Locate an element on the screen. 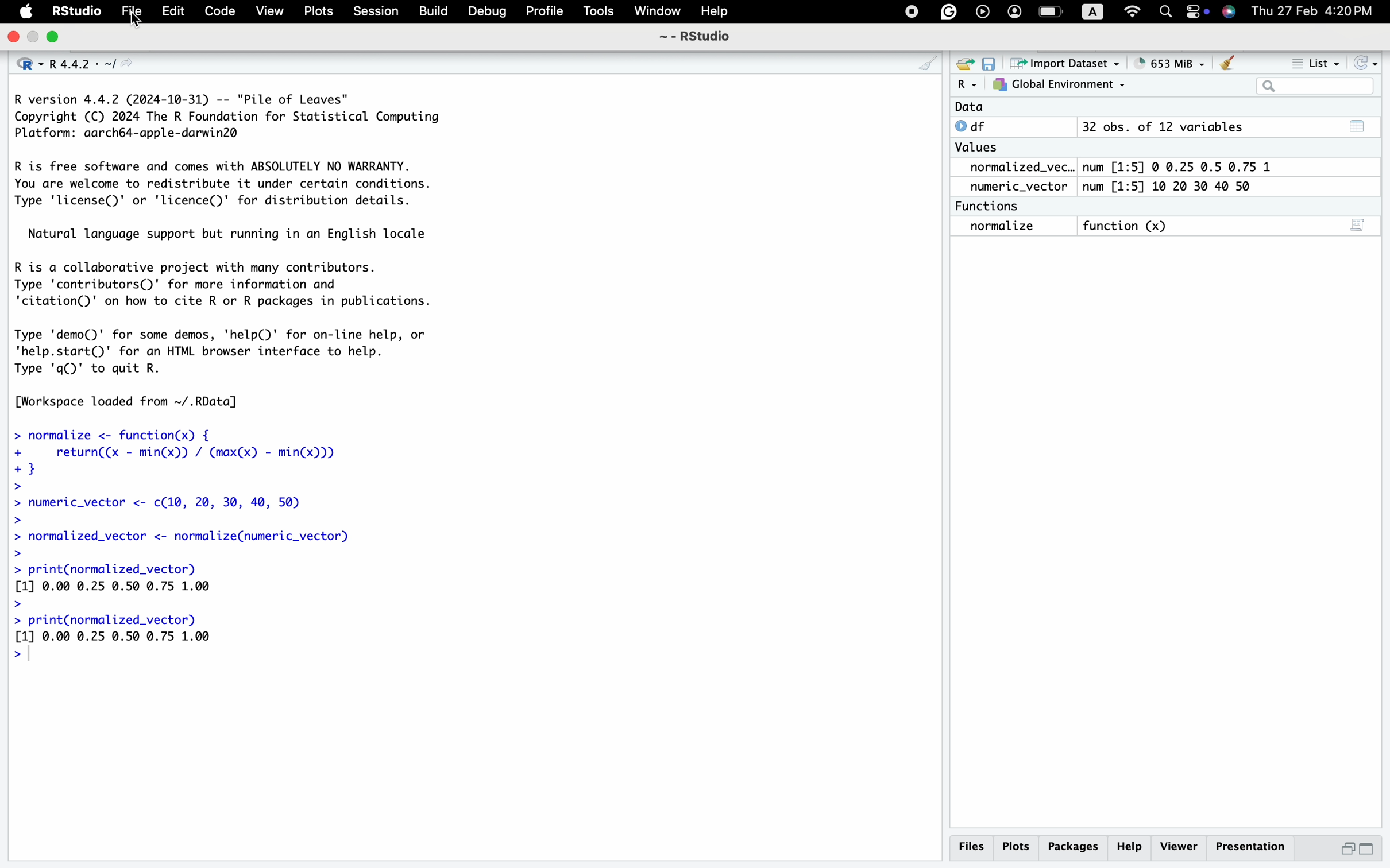  List is located at coordinates (1318, 65).